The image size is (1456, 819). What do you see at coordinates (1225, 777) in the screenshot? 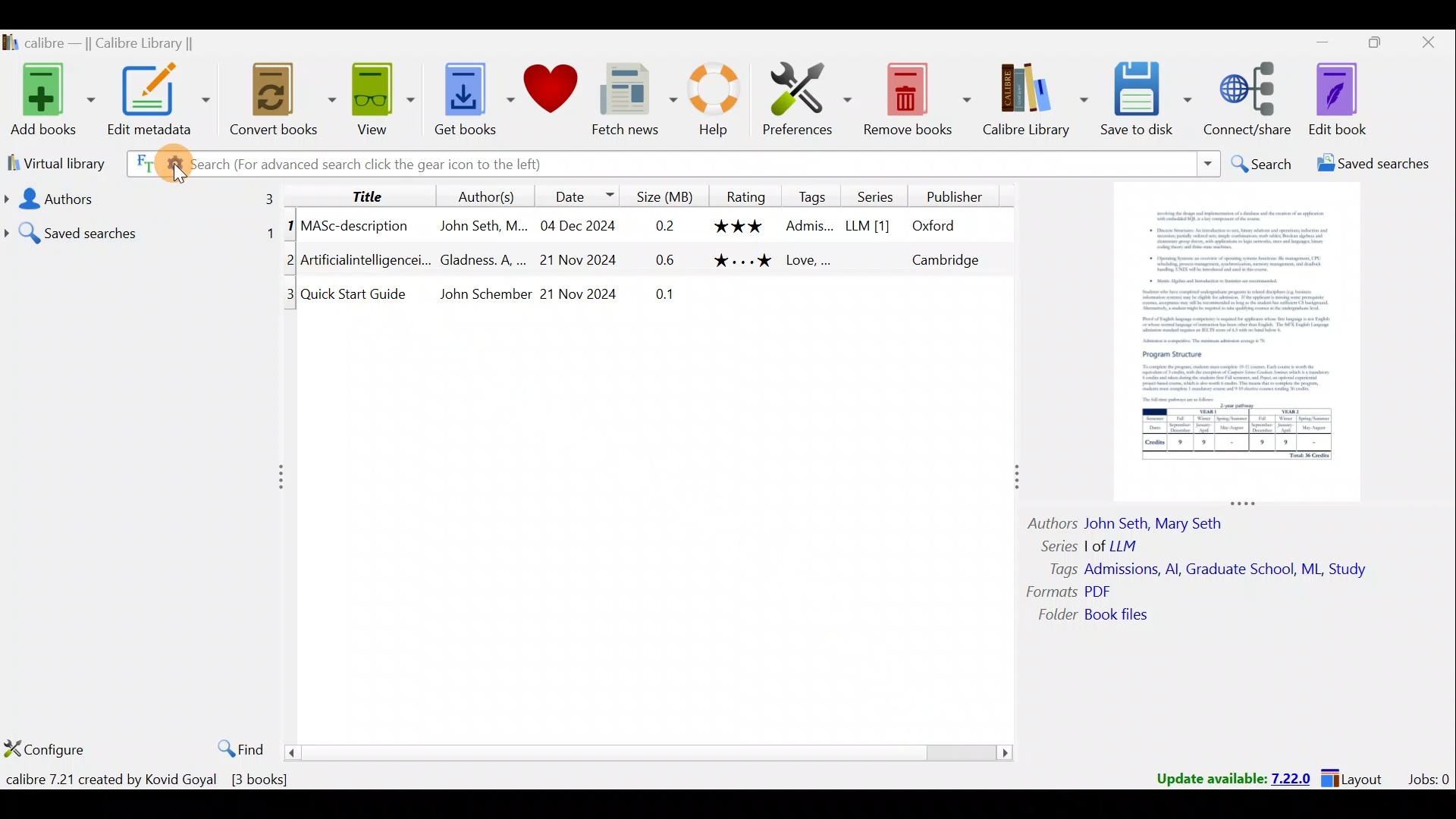
I see `Update available: 7.22.0` at bounding box center [1225, 777].